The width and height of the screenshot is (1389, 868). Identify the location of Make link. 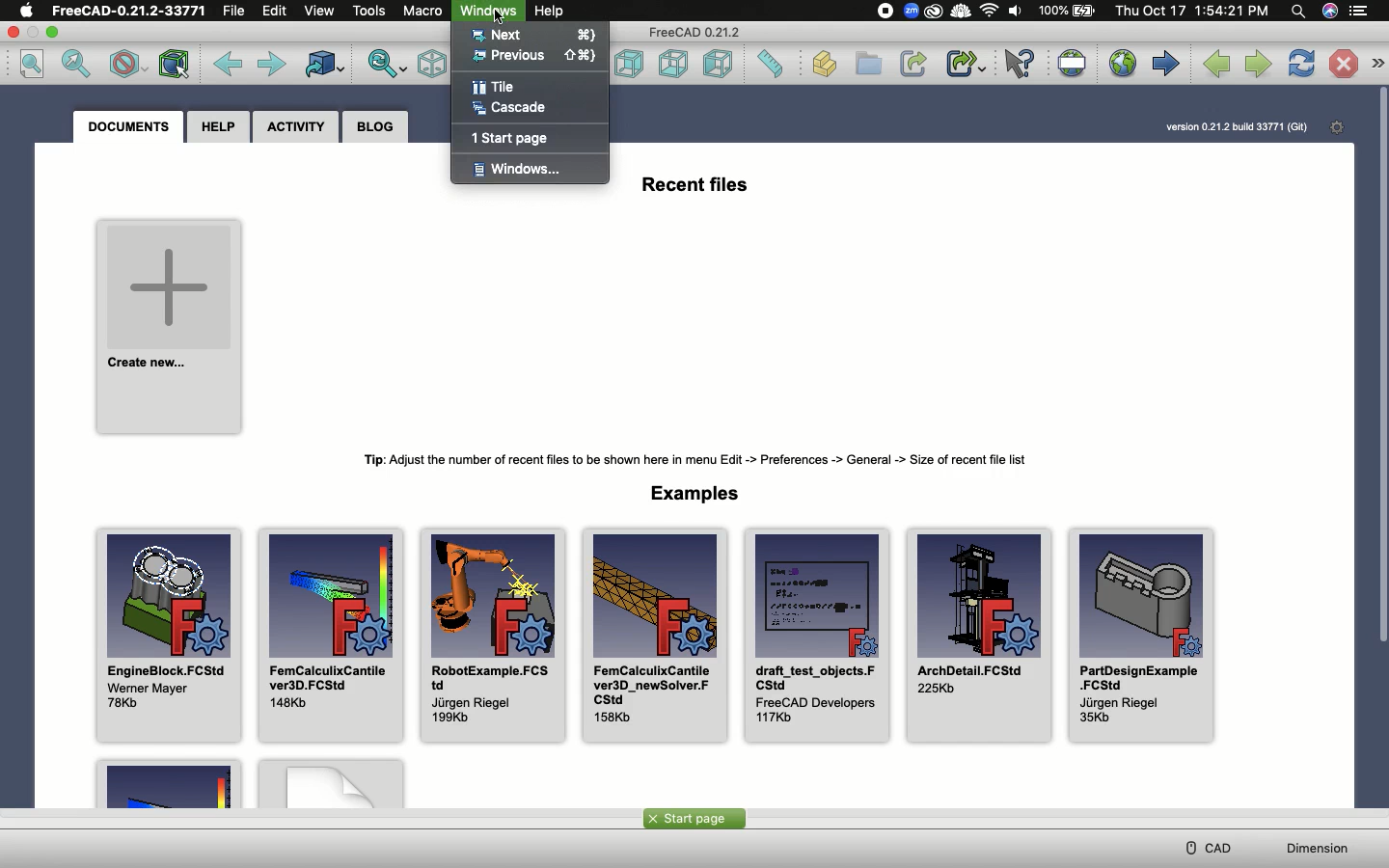
(915, 63).